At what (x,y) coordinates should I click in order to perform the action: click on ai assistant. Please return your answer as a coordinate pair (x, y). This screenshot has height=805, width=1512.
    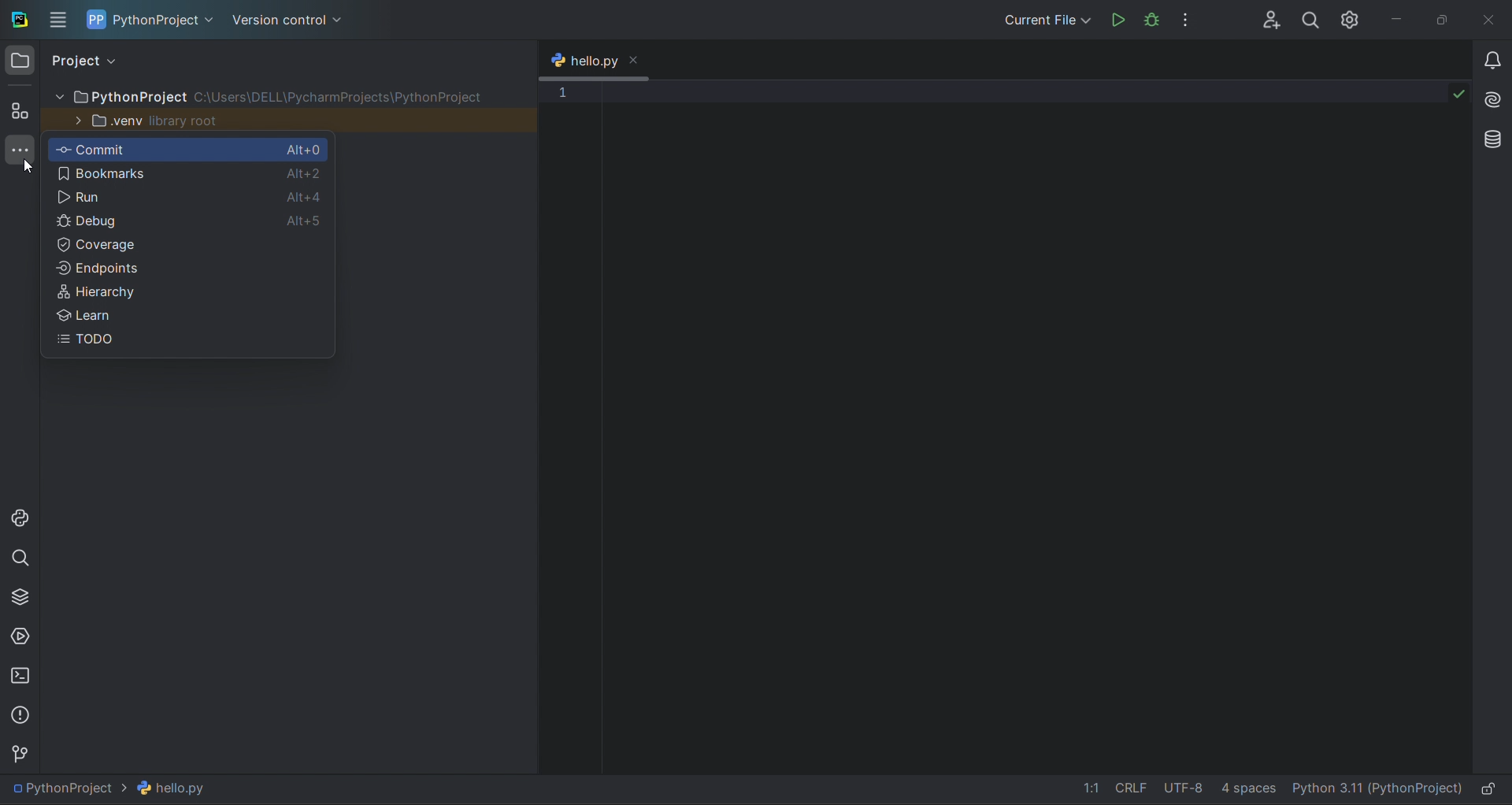
    Looking at the image, I should click on (1495, 103).